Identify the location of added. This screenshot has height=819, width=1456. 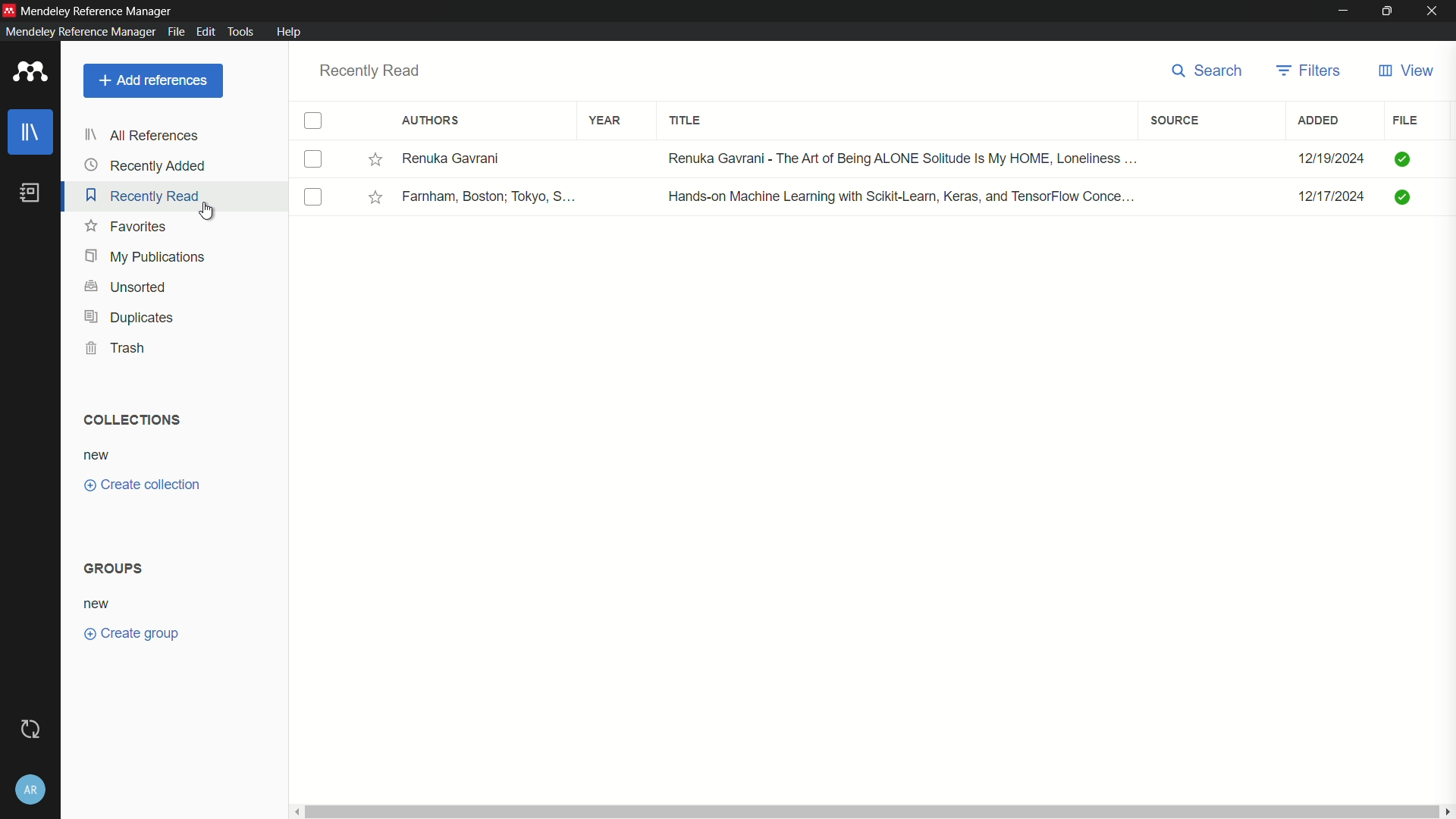
(1321, 120).